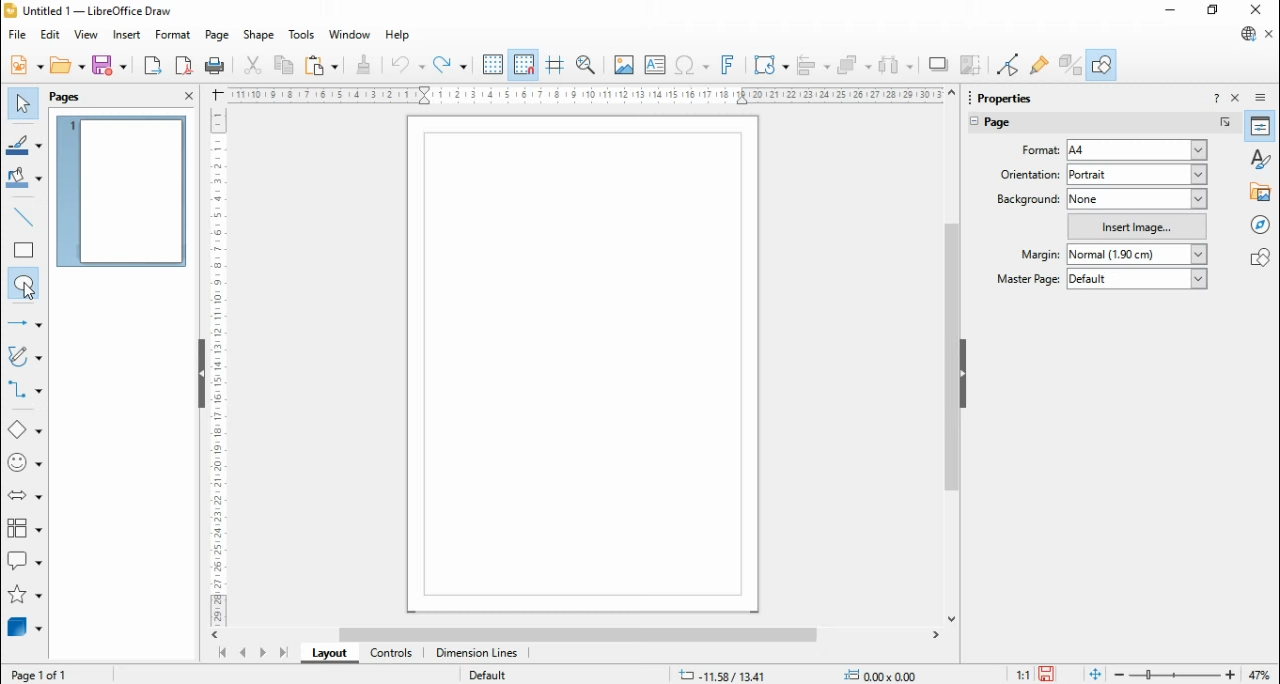 This screenshot has height=684, width=1280. What do you see at coordinates (1011, 125) in the screenshot?
I see `page` at bounding box center [1011, 125].